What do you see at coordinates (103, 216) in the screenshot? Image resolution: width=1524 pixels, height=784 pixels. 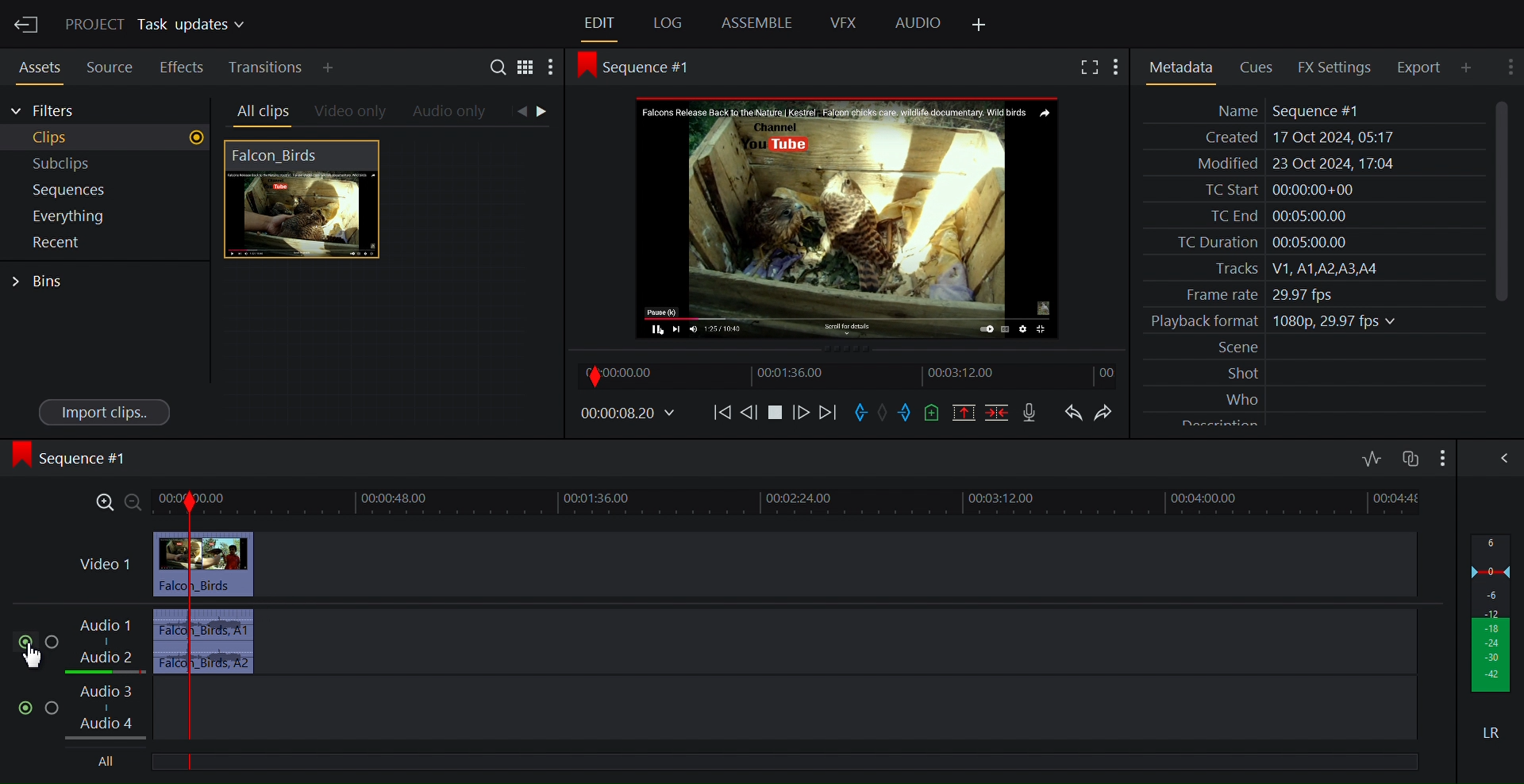 I see `Show everything in the current project` at bounding box center [103, 216].